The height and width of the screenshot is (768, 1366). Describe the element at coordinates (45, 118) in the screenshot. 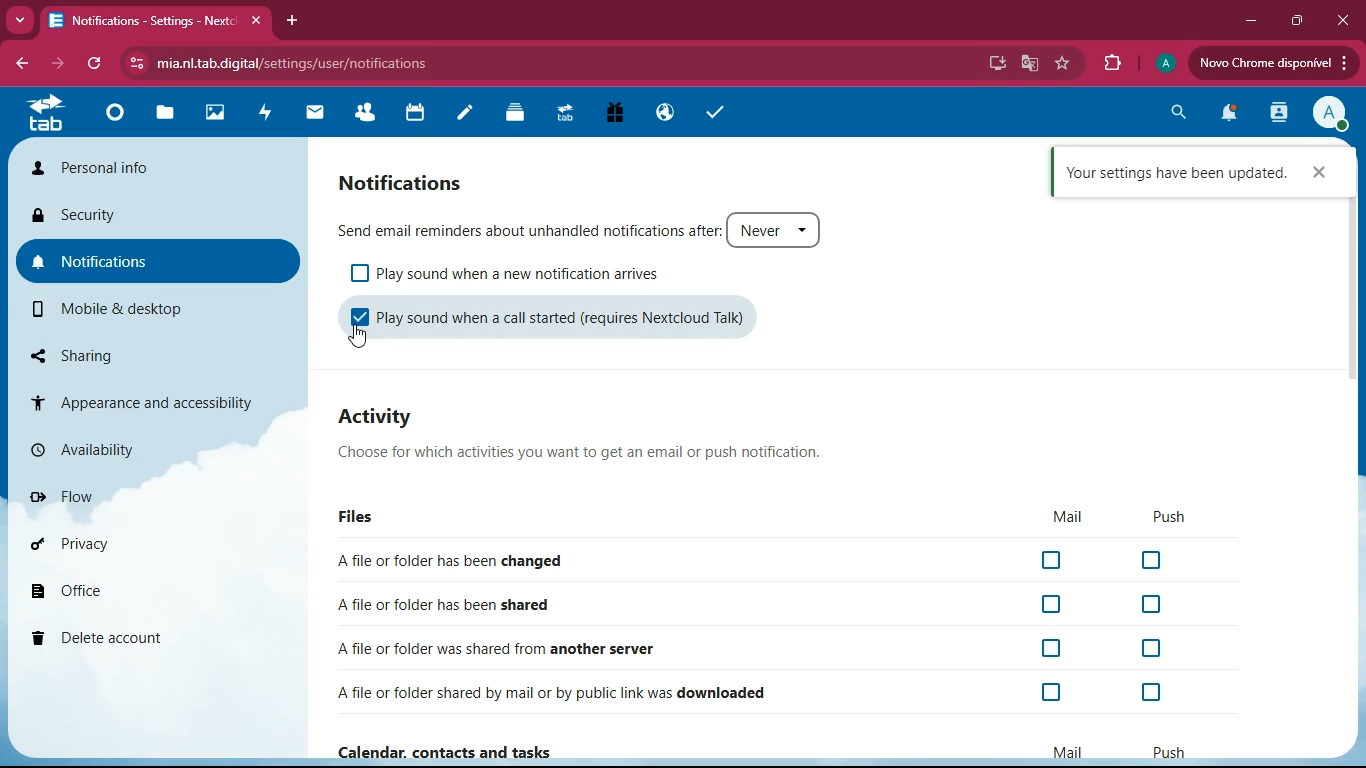

I see `tab` at that location.